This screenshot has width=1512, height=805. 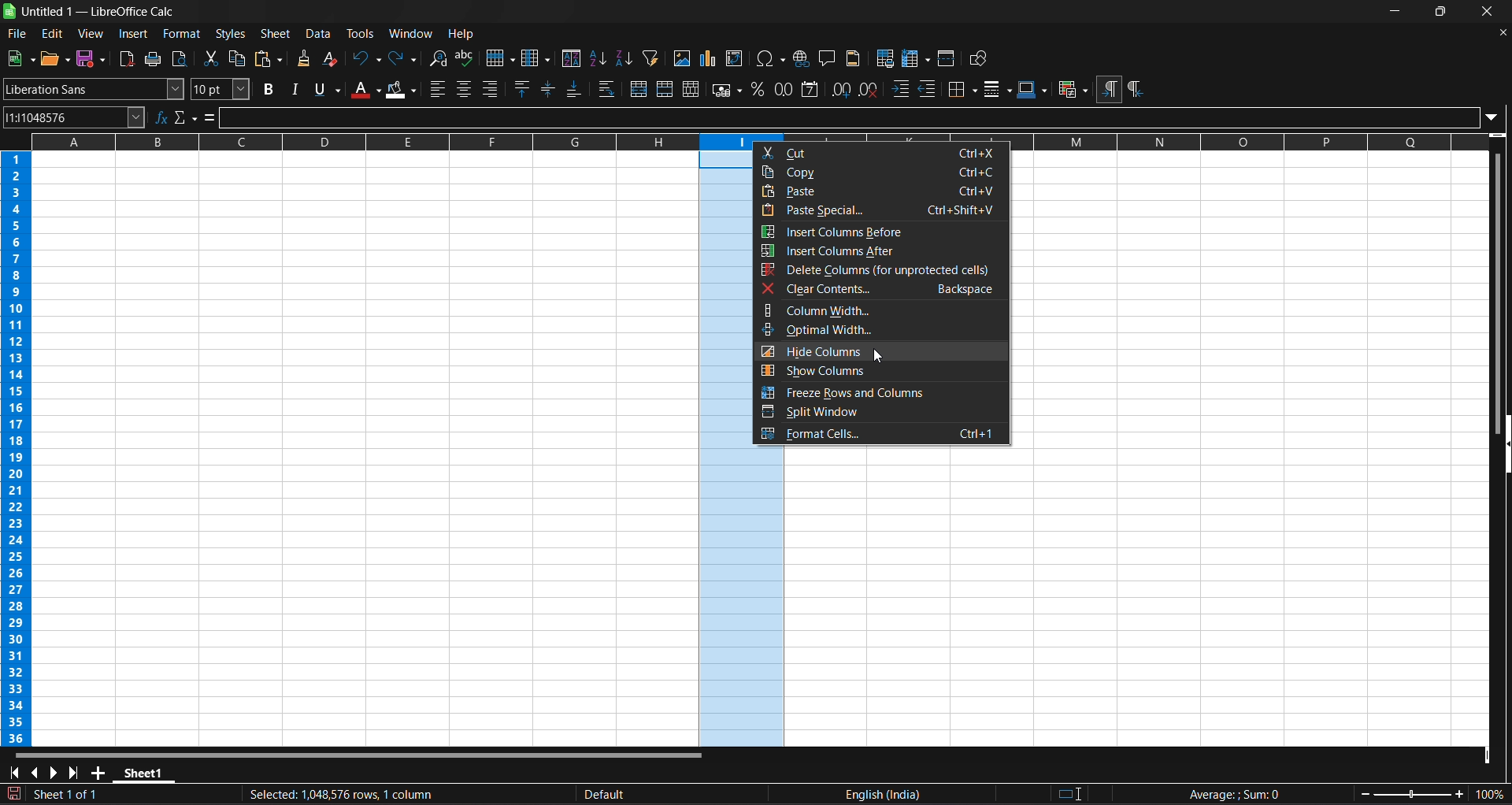 What do you see at coordinates (94, 59) in the screenshot?
I see `save` at bounding box center [94, 59].